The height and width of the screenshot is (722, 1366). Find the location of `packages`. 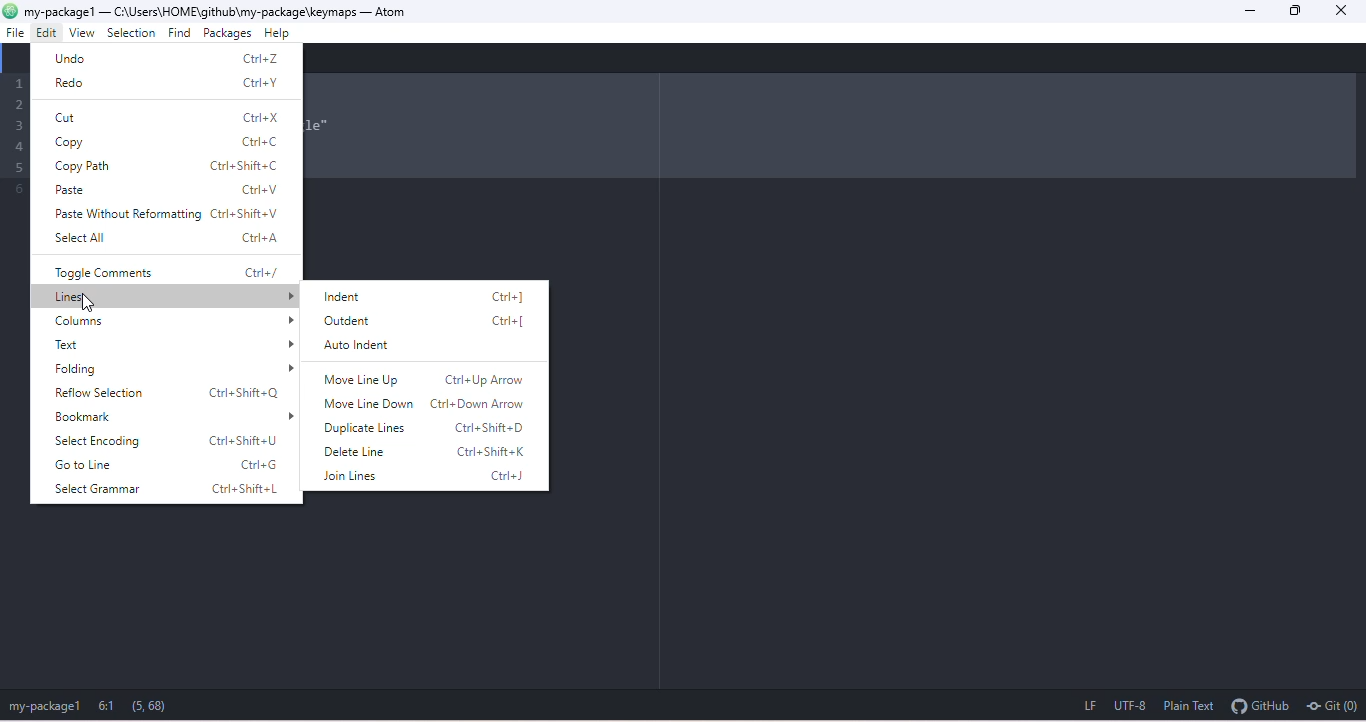

packages is located at coordinates (228, 31).